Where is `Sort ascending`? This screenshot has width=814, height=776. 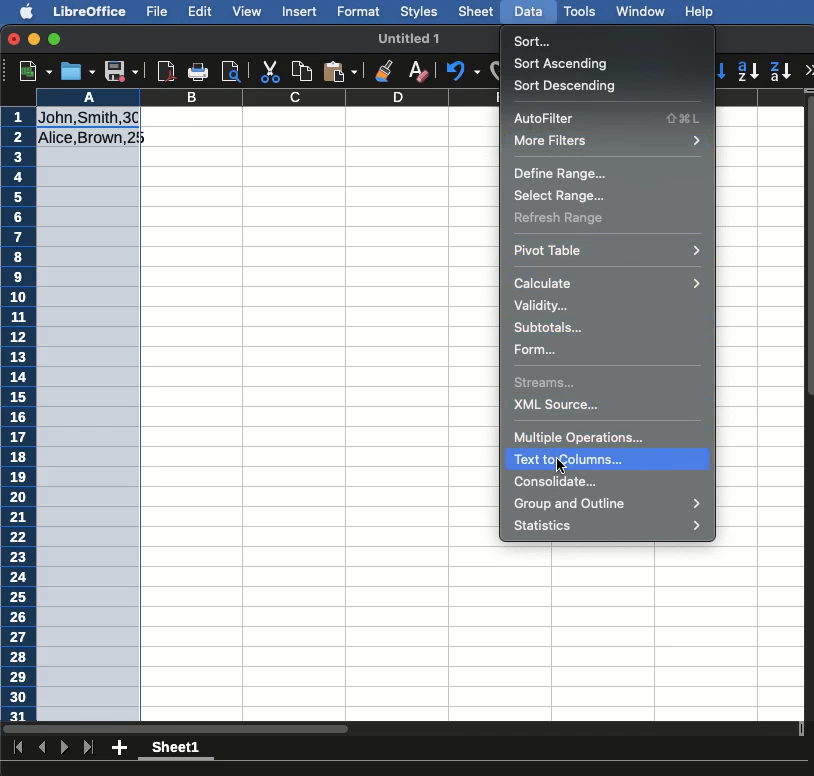
Sort ascending is located at coordinates (564, 63).